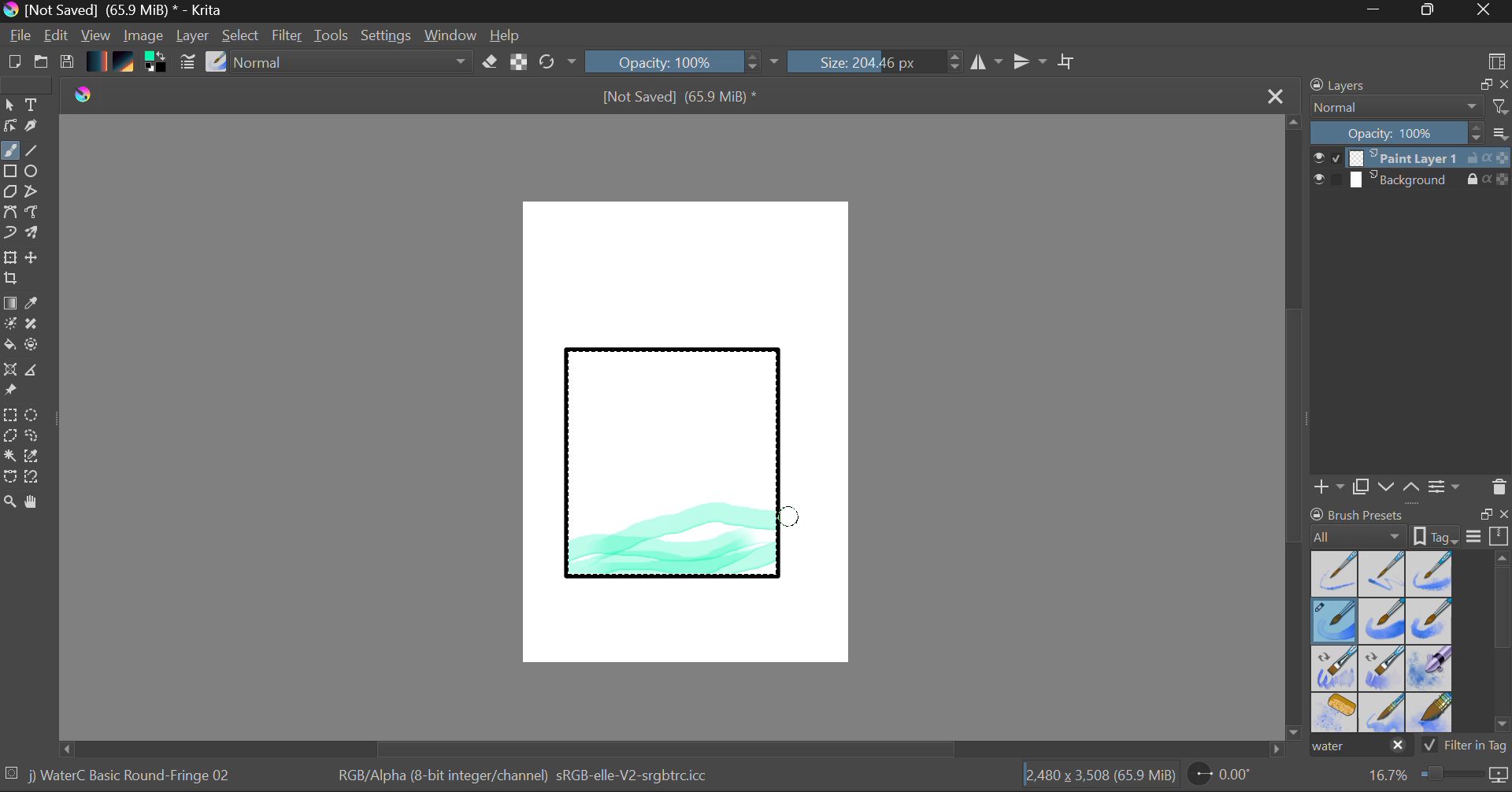 Image resolution: width=1512 pixels, height=792 pixels. Describe the element at coordinates (32, 477) in the screenshot. I see `Magnetic Selection Tool` at that location.